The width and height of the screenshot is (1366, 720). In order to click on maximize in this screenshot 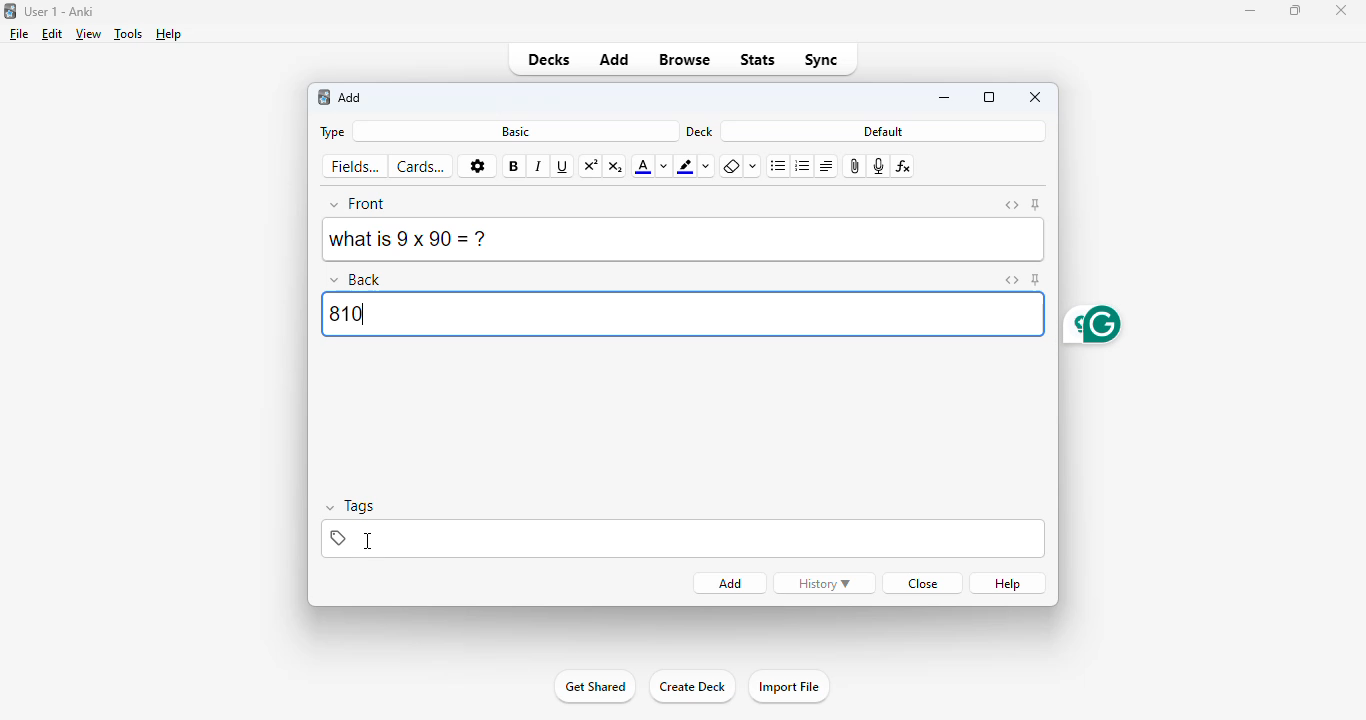, I will do `click(989, 97)`.